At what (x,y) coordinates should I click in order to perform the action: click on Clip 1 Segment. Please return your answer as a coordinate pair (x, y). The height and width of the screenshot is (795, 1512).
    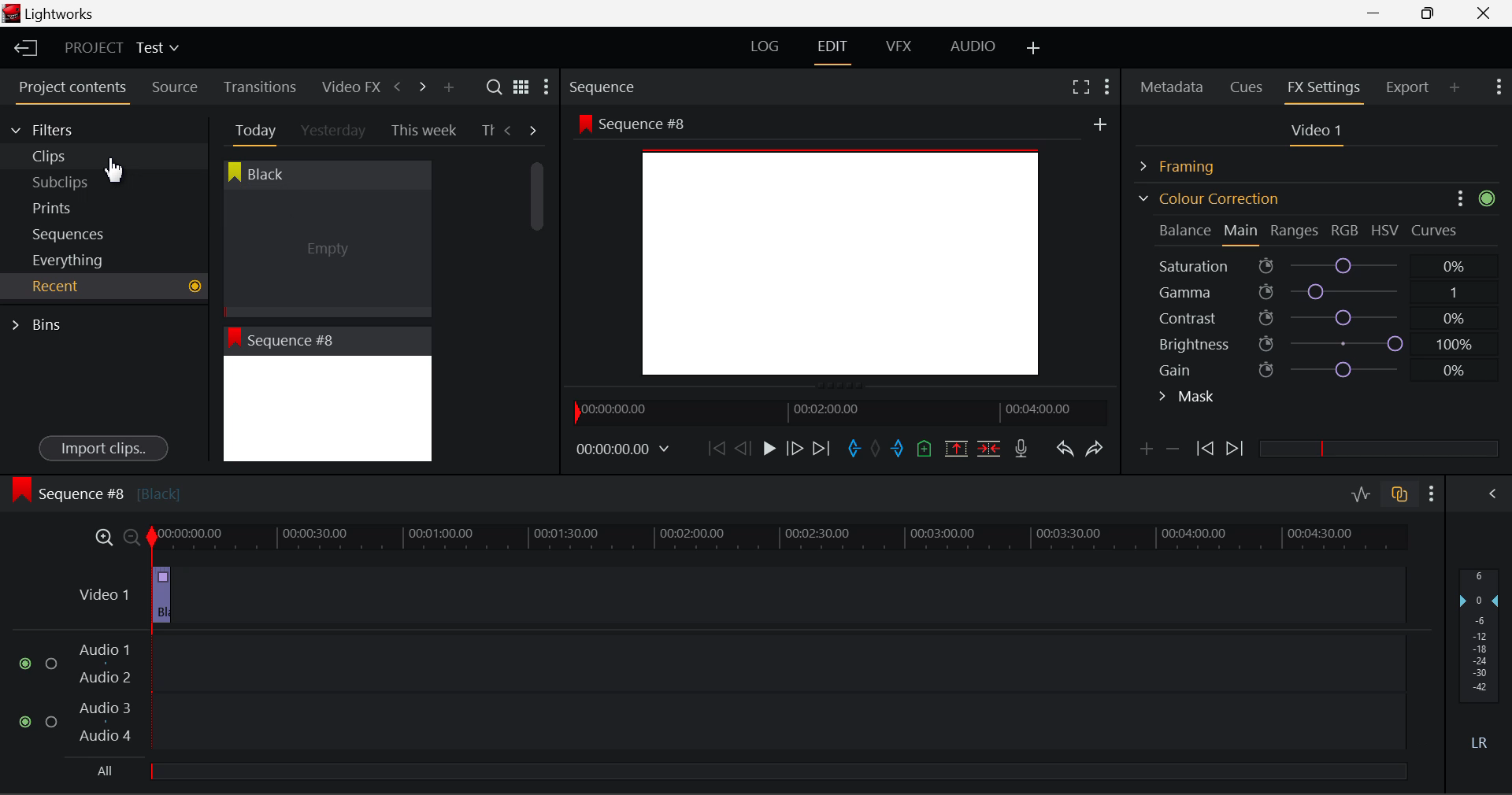
    Looking at the image, I should click on (160, 596).